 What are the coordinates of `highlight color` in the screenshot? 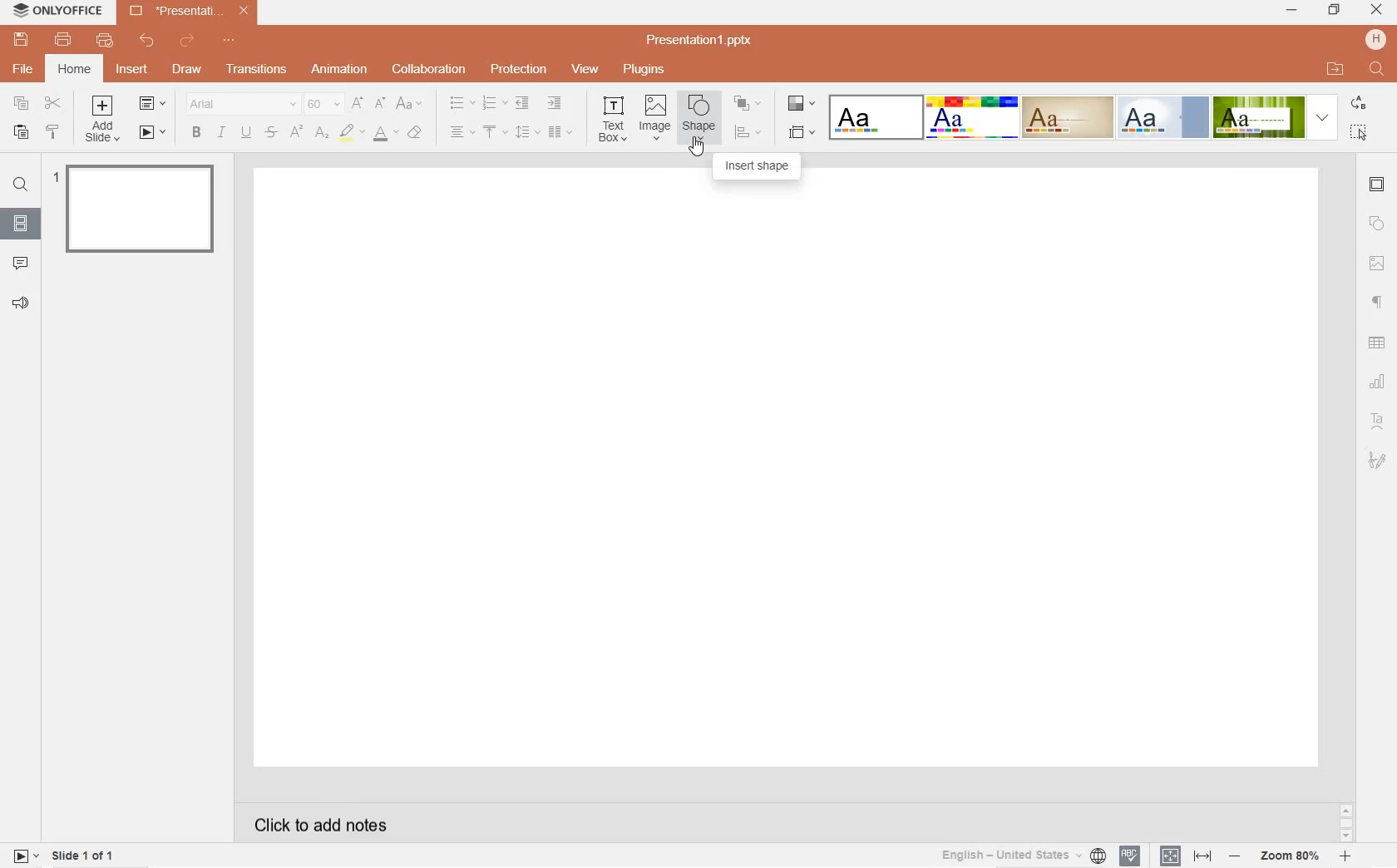 It's located at (352, 133).